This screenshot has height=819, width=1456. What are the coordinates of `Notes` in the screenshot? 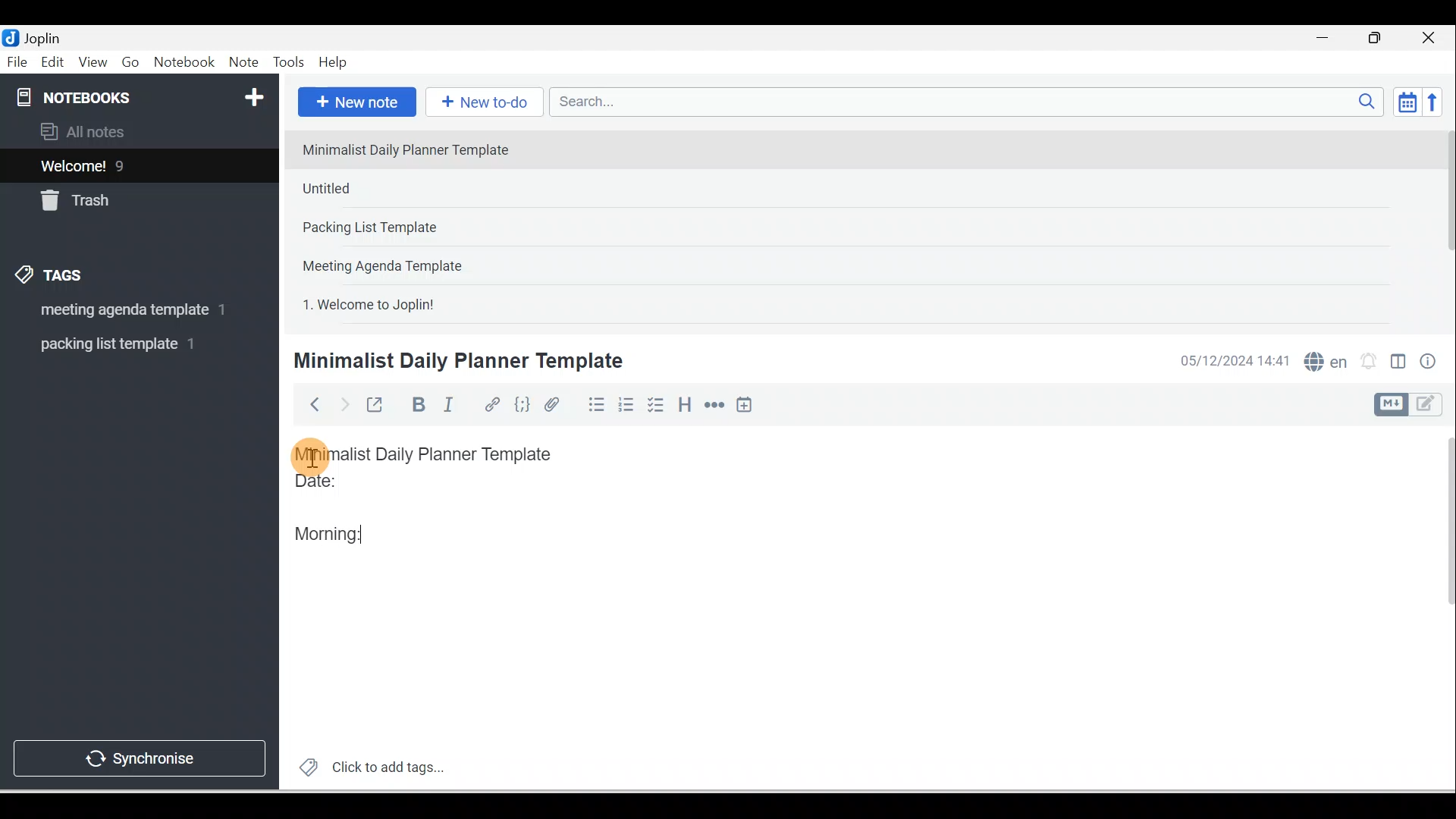 It's located at (128, 162).